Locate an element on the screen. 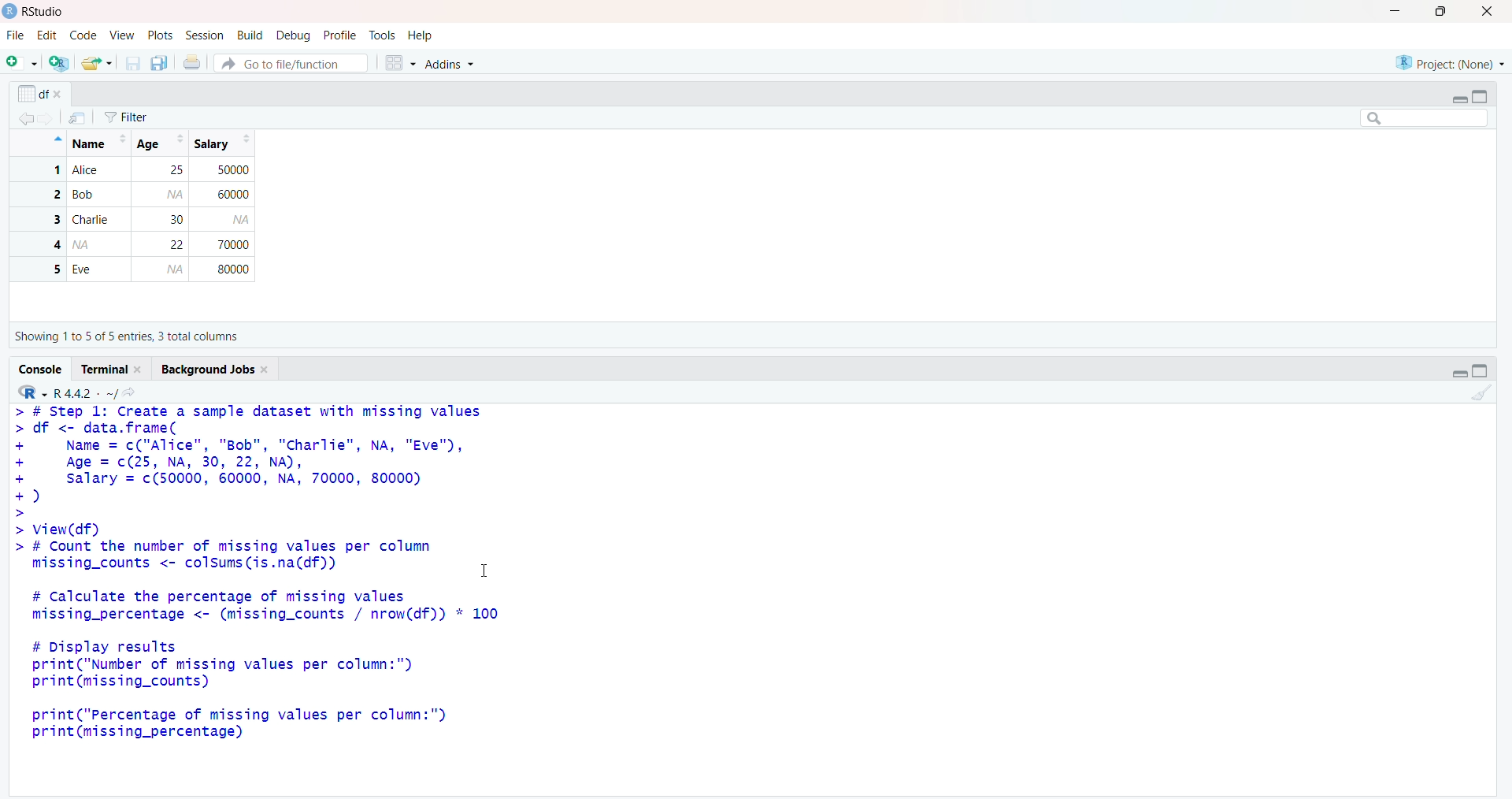 The image size is (1512, 799). Age is located at coordinates (160, 143).